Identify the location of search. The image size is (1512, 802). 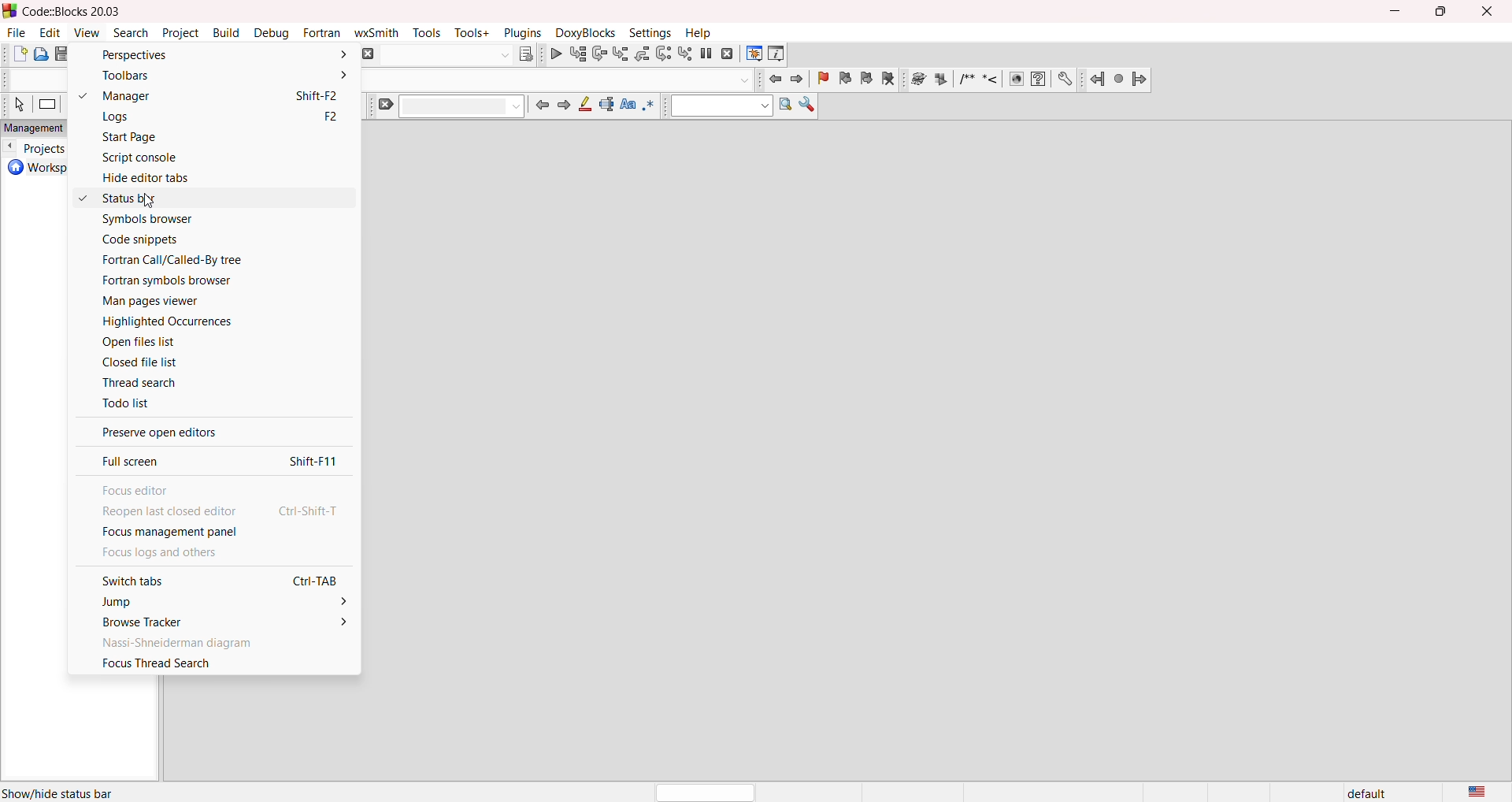
(132, 33).